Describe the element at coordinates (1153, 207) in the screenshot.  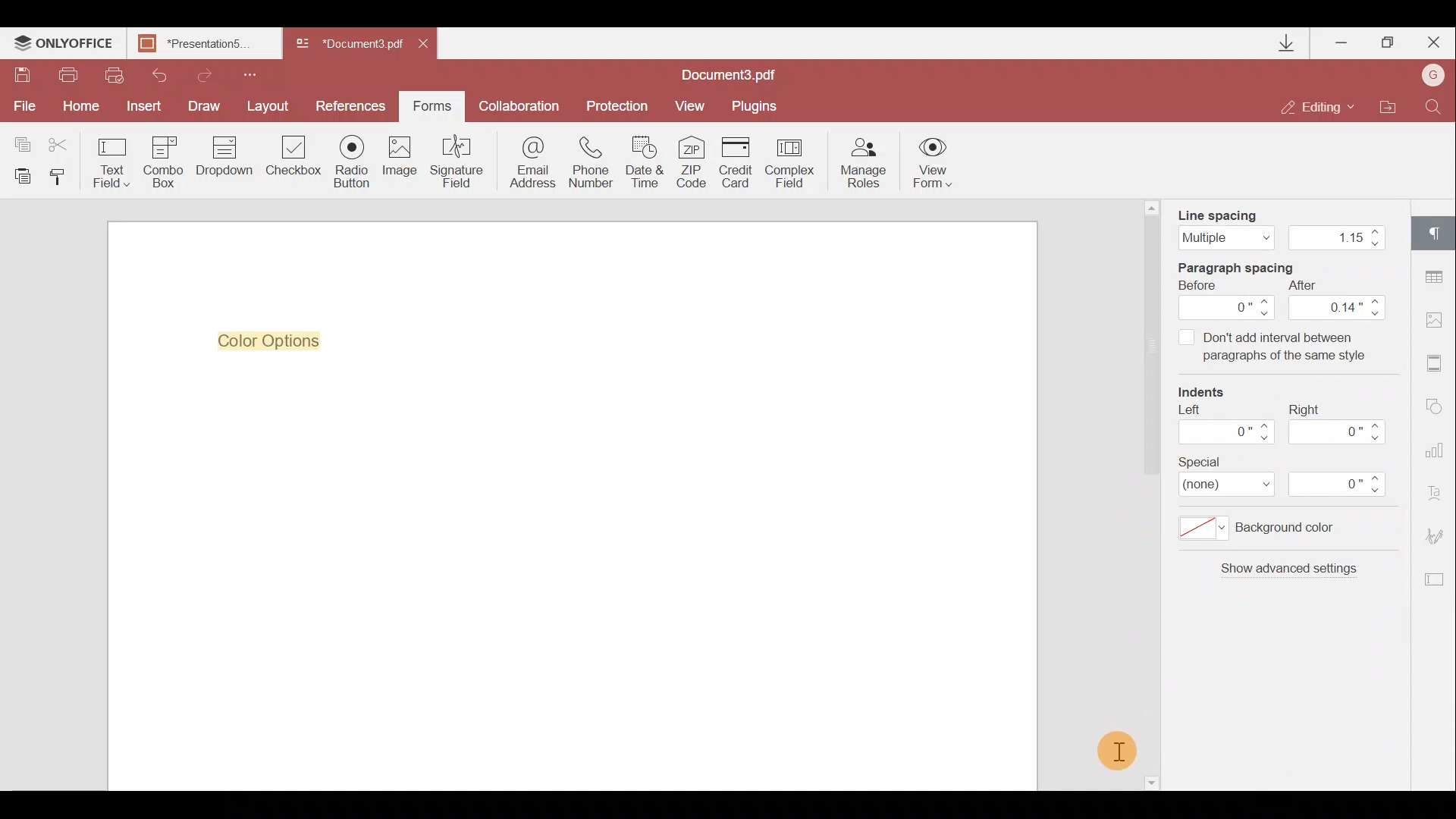
I see `Scroll up` at that location.